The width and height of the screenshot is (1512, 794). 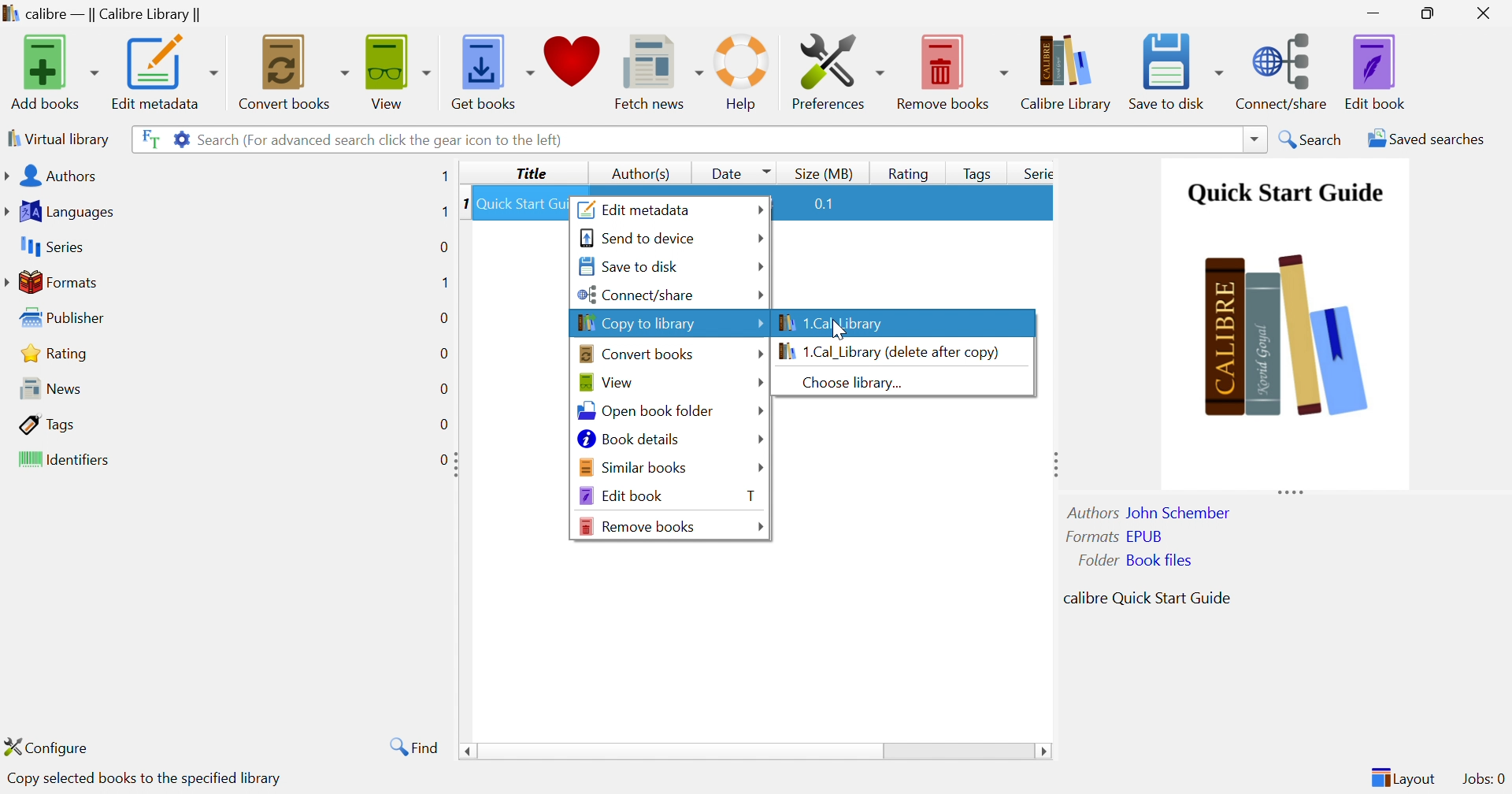 What do you see at coordinates (1377, 71) in the screenshot?
I see `Edit Book` at bounding box center [1377, 71].